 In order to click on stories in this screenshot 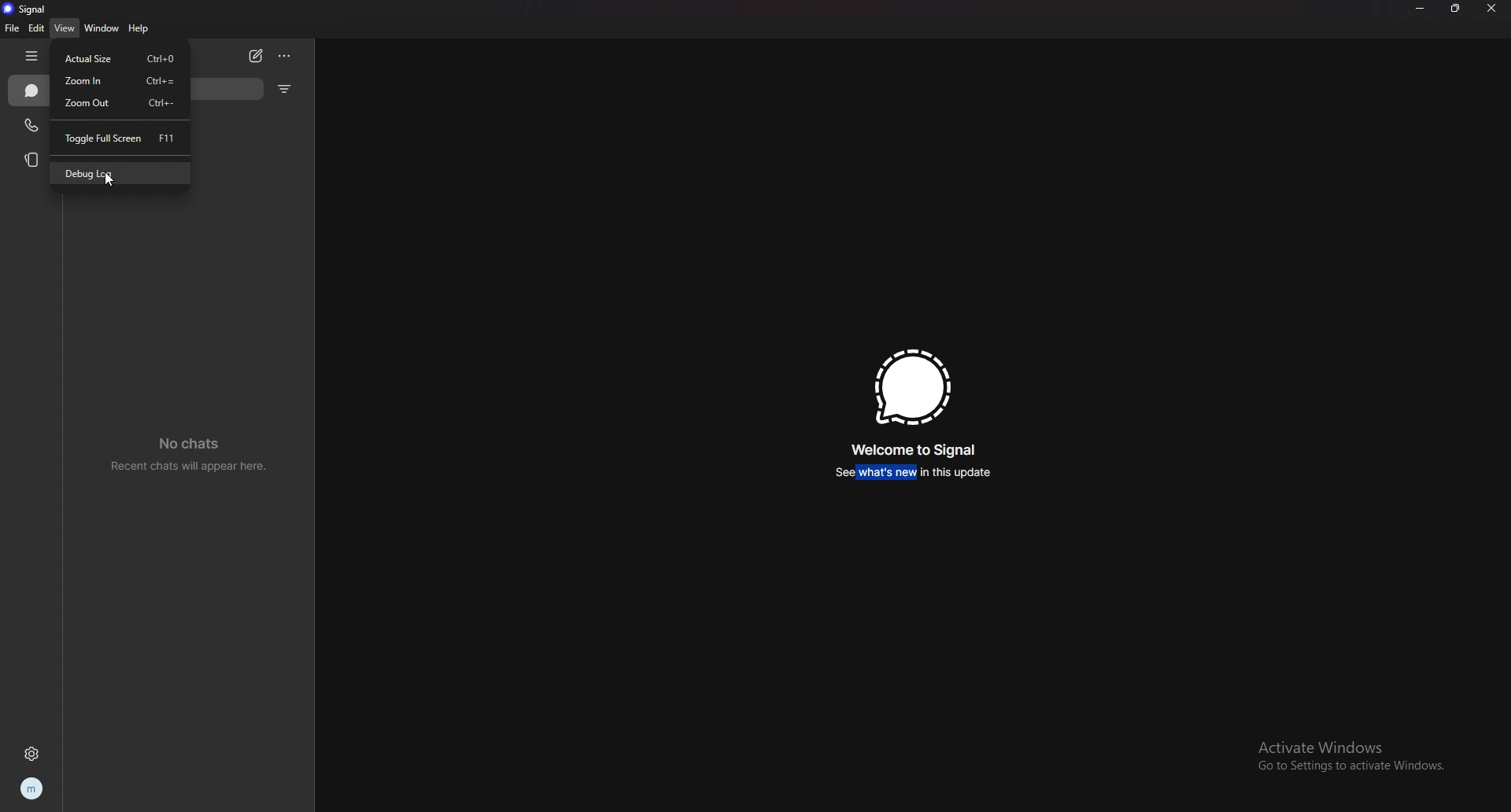, I will do `click(32, 161)`.